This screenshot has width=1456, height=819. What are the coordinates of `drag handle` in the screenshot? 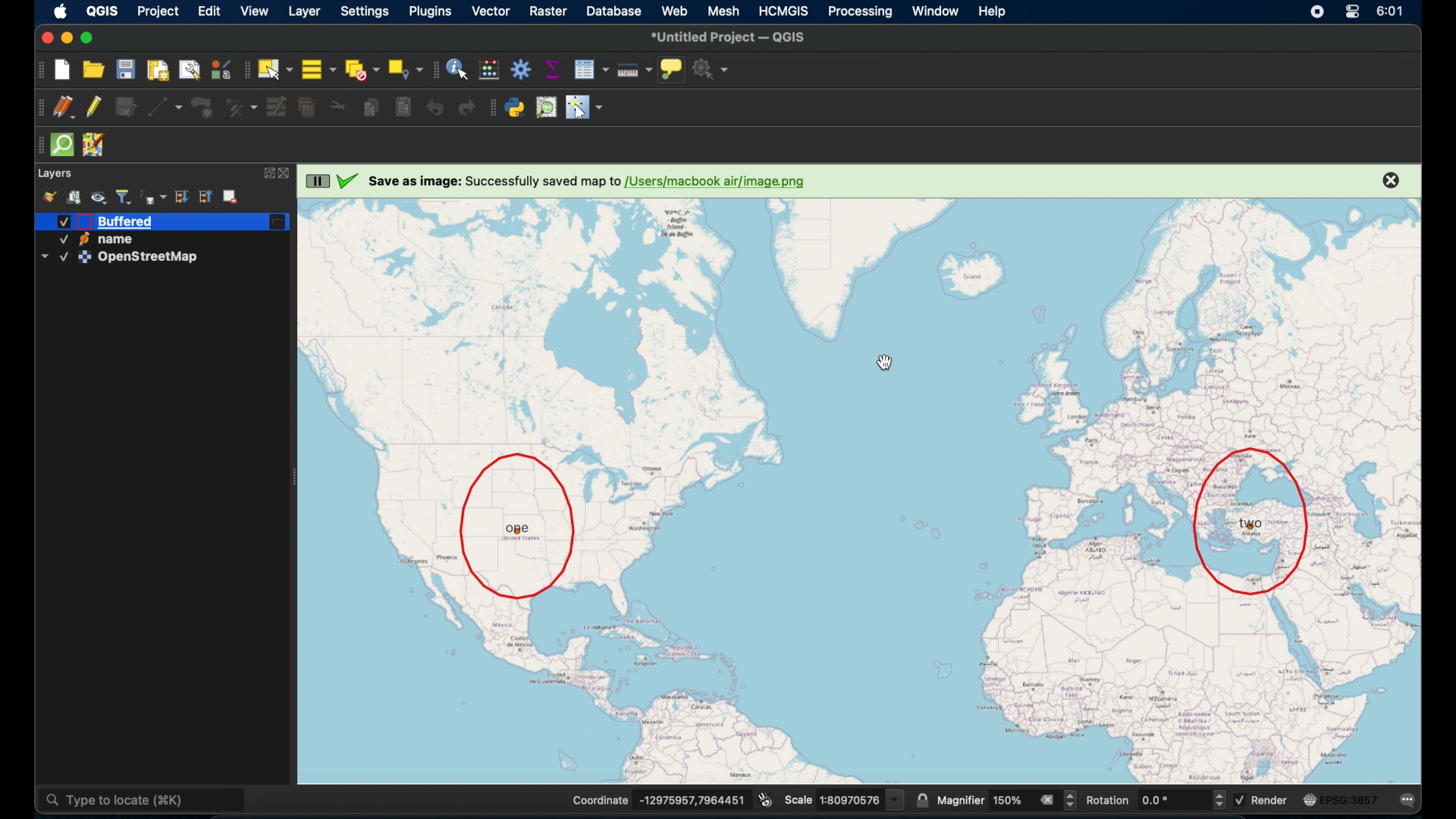 It's located at (39, 108).